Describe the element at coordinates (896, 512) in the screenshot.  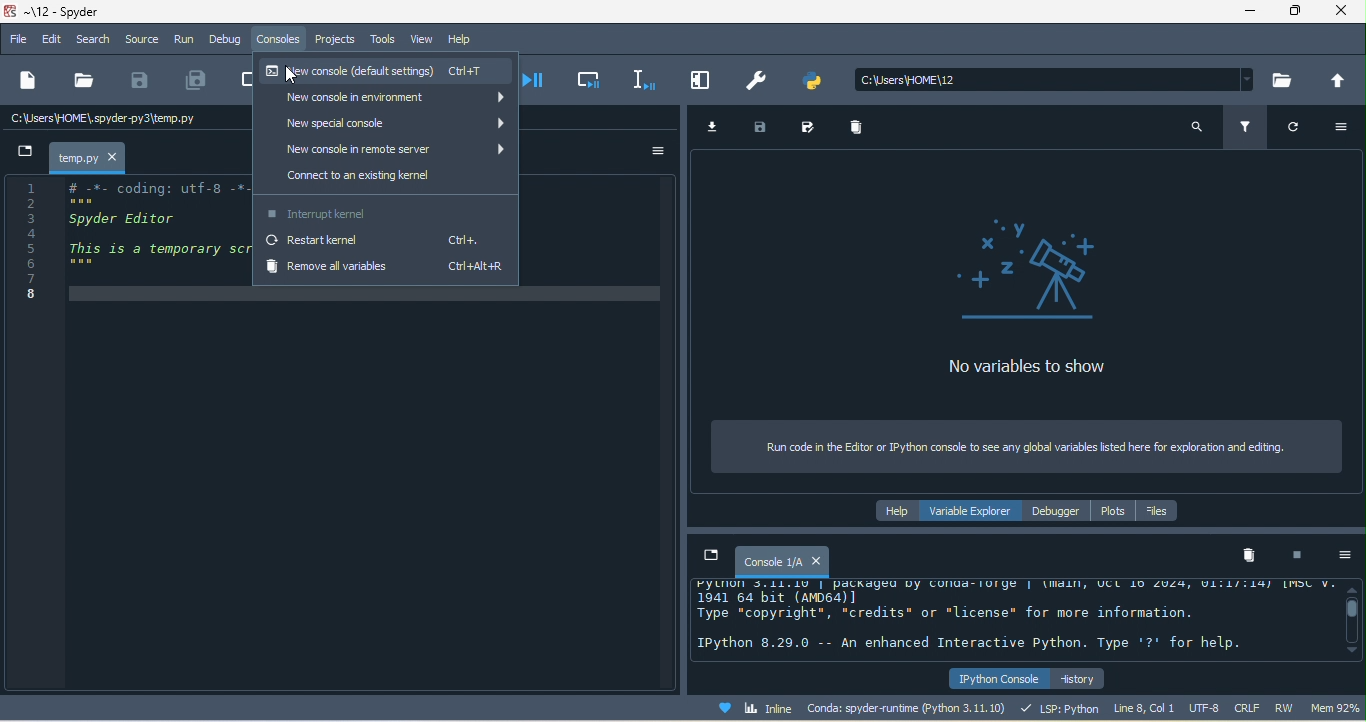
I see `help` at that location.